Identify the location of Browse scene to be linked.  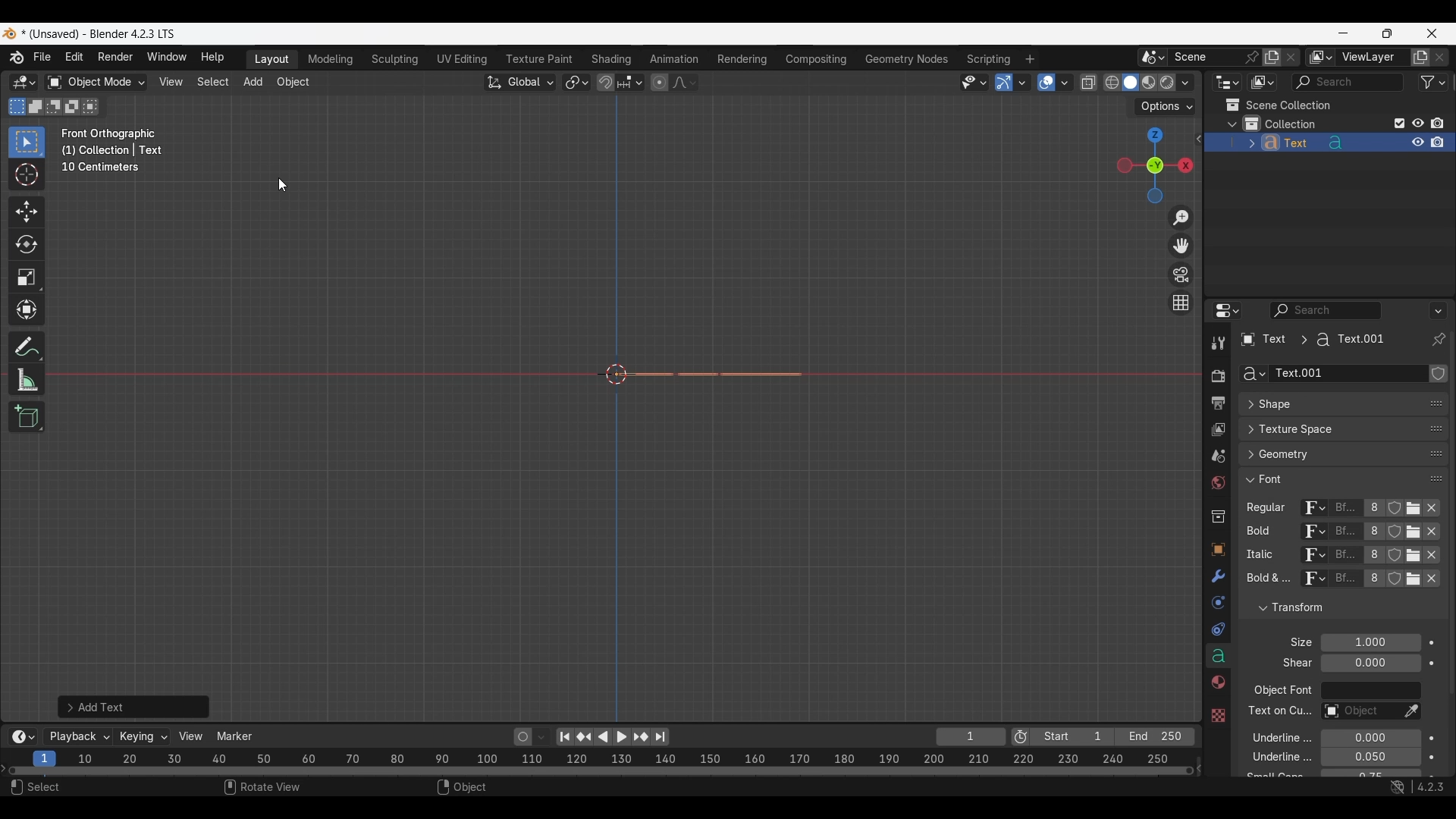
(1153, 58).